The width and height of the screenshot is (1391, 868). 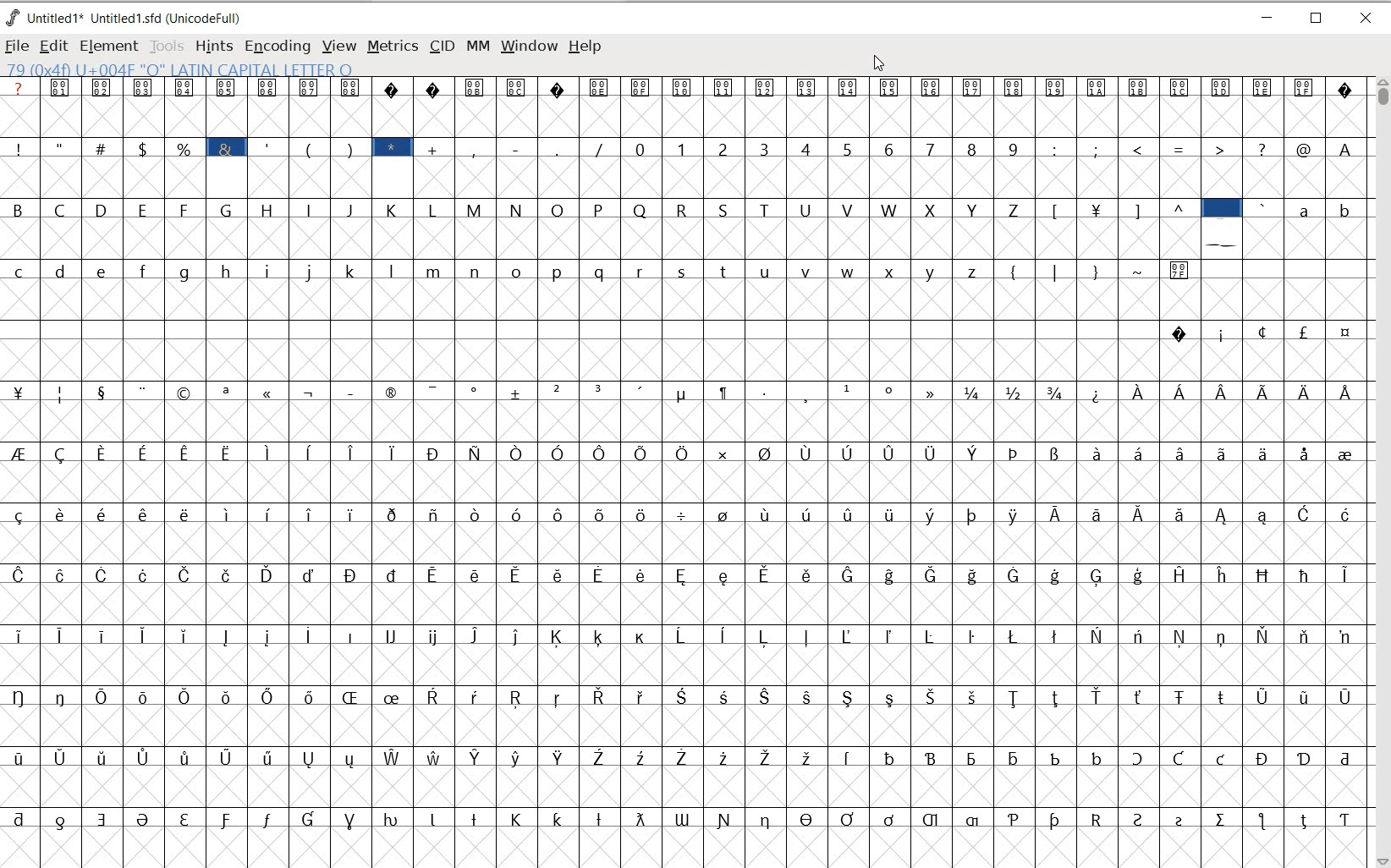 I want to click on CID, so click(x=442, y=47).